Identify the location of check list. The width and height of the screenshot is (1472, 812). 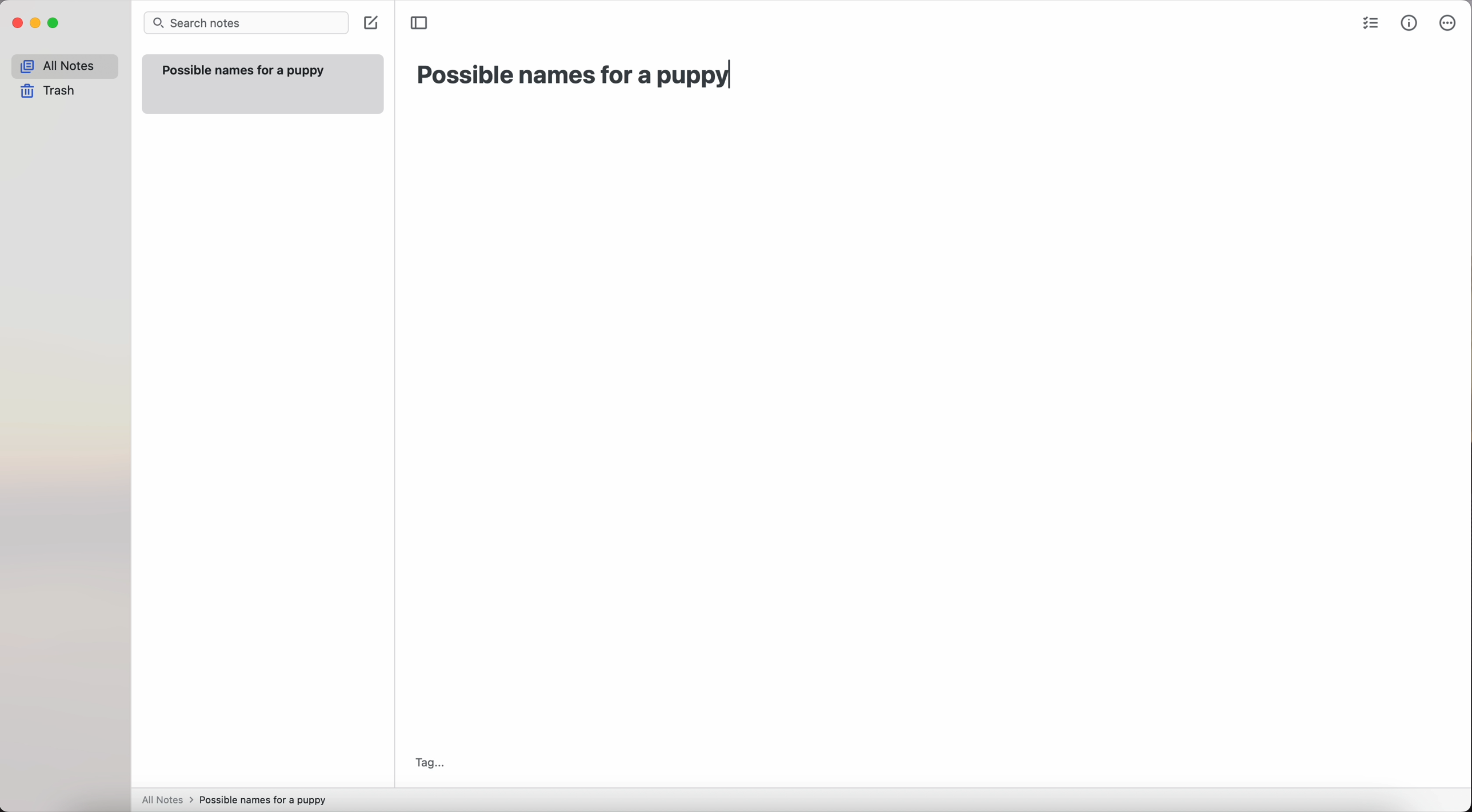
(1370, 25).